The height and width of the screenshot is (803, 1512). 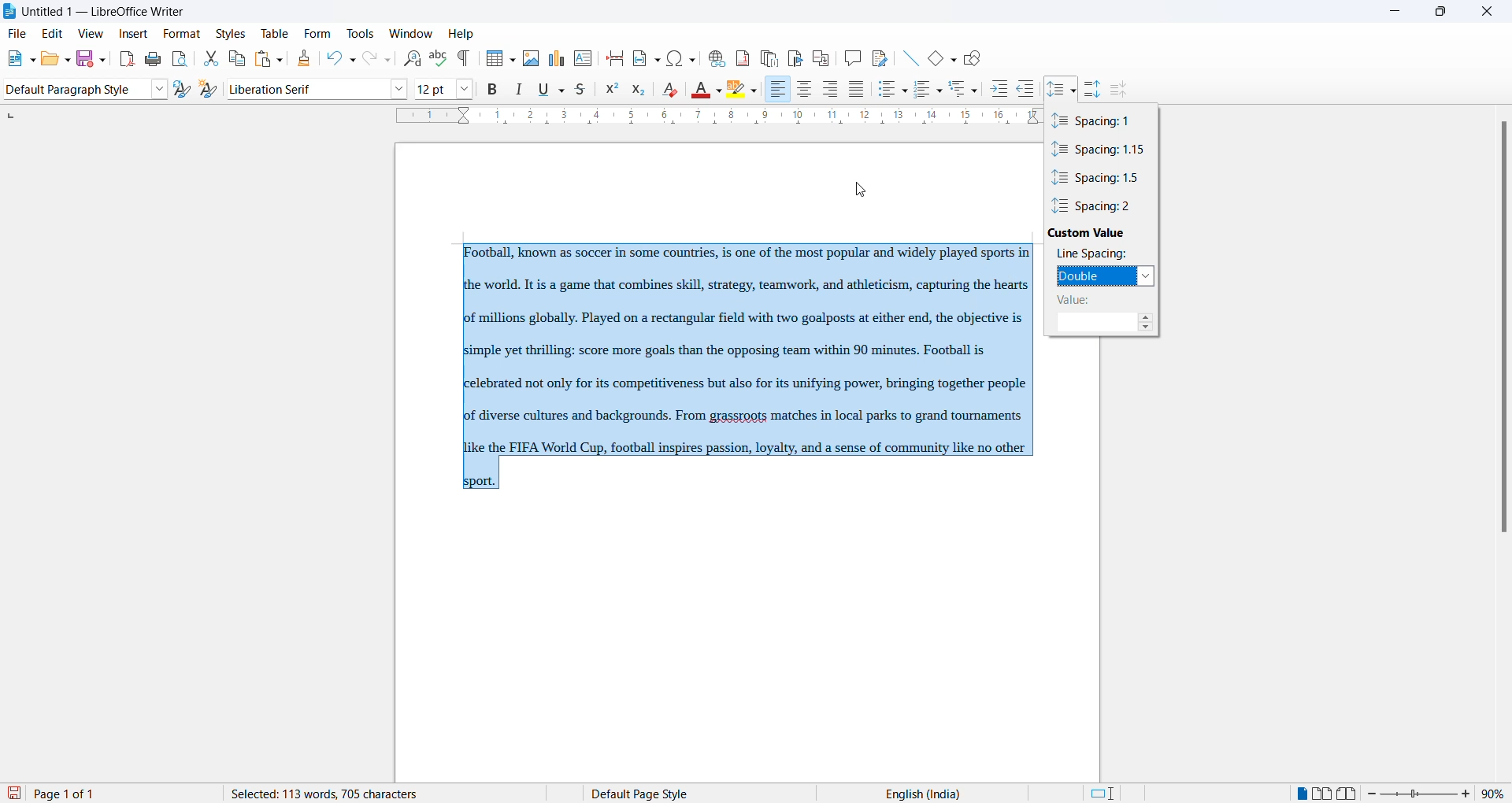 What do you see at coordinates (1121, 90) in the screenshot?
I see `decrease paragraph spacing` at bounding box center [1121, 90].